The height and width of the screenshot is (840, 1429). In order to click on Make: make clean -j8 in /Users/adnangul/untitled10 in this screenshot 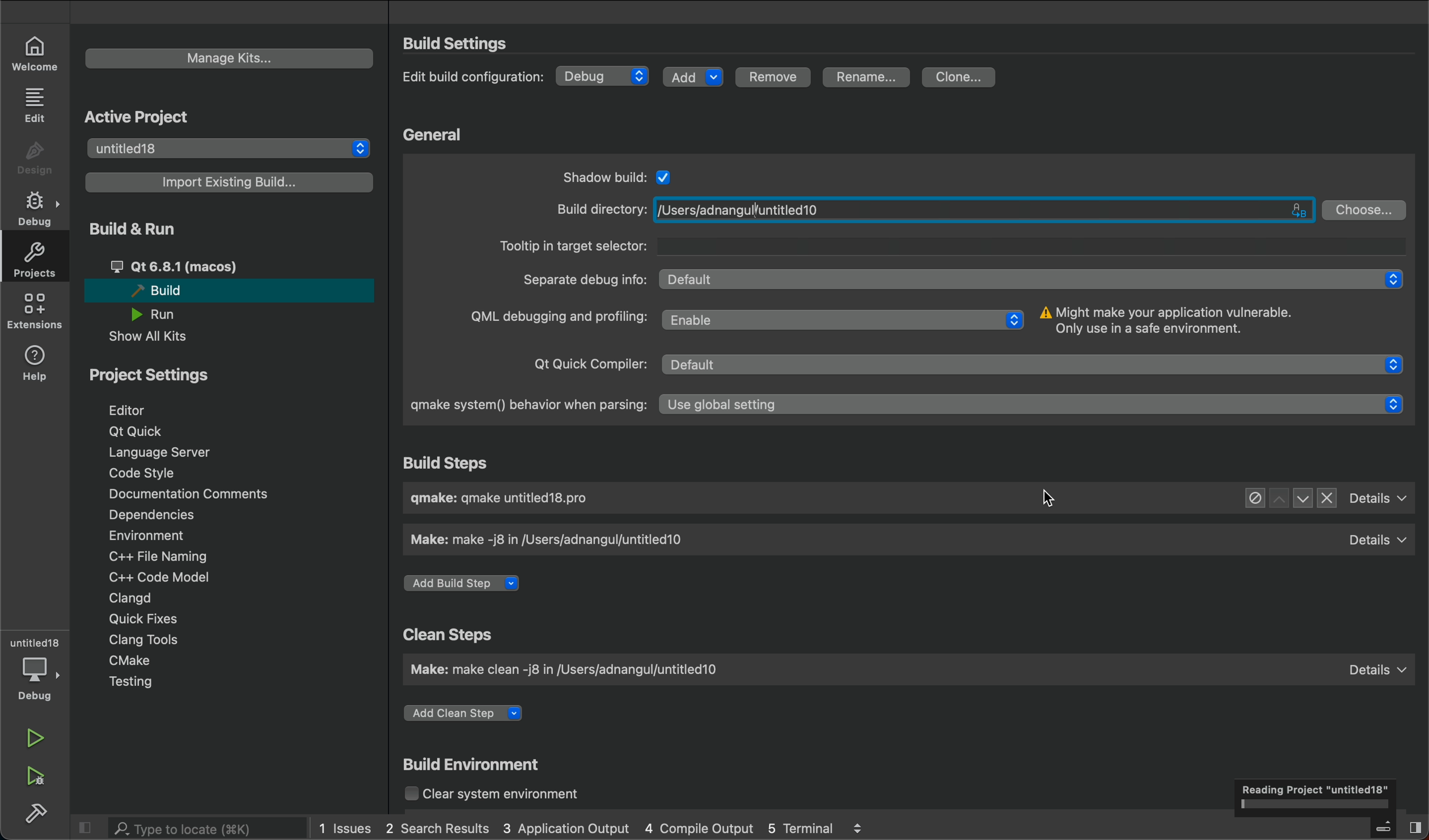, I will do `click(573, 672)`.